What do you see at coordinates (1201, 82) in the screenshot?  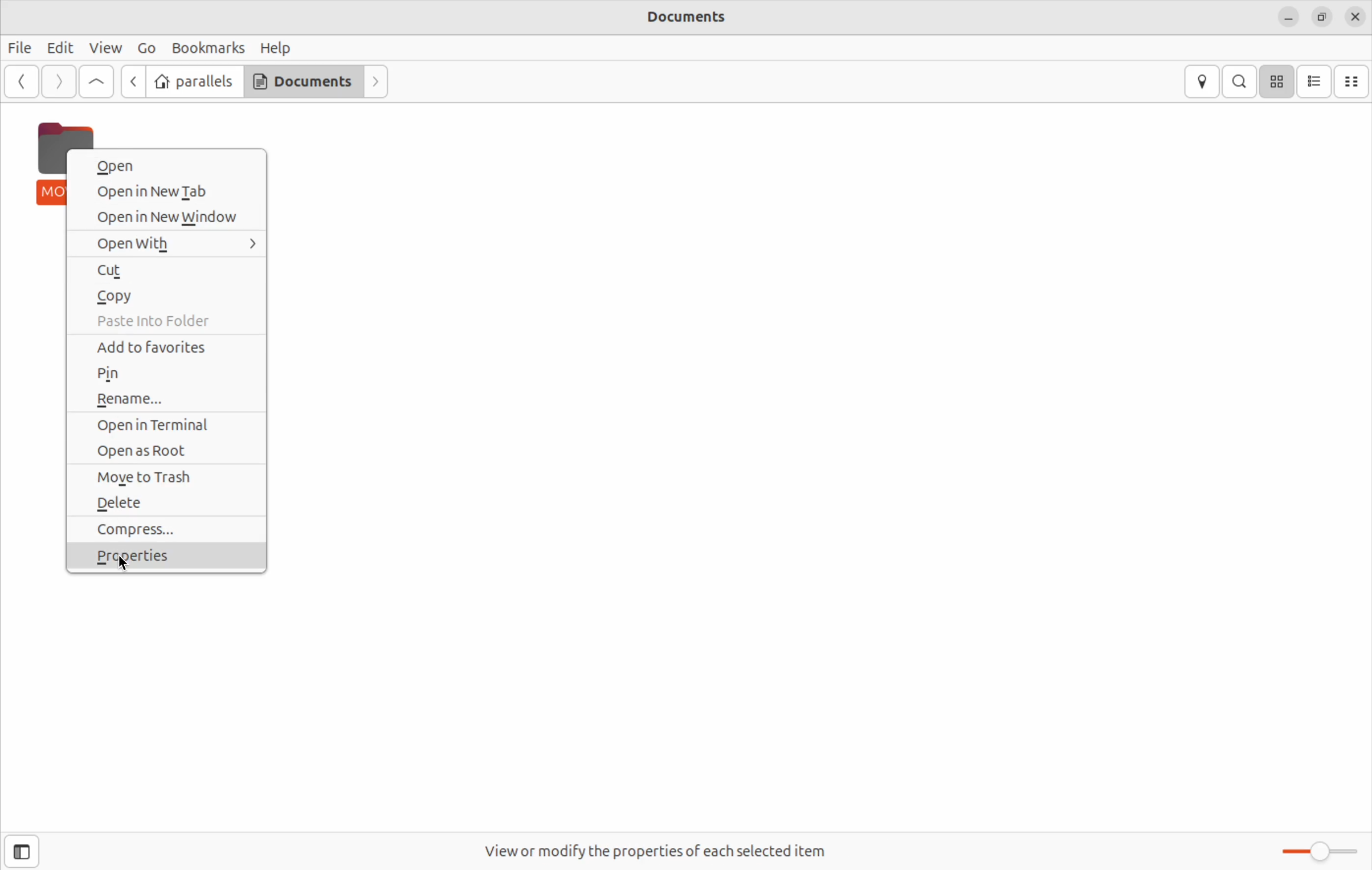 I see `location` at bounding box center [1201, 82].